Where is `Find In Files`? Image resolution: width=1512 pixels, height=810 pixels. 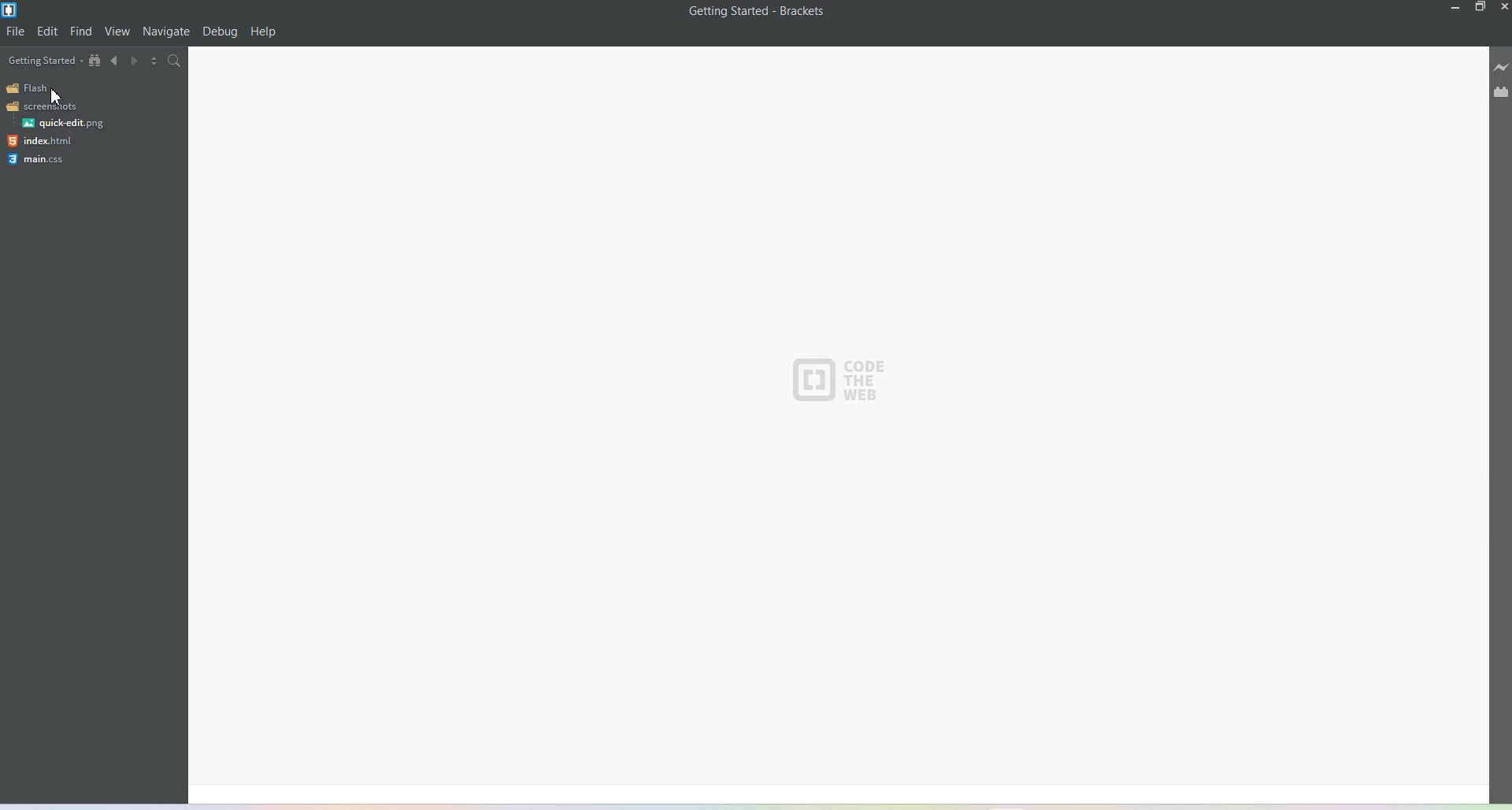
Find In Files is located at coordinates (183, 63).